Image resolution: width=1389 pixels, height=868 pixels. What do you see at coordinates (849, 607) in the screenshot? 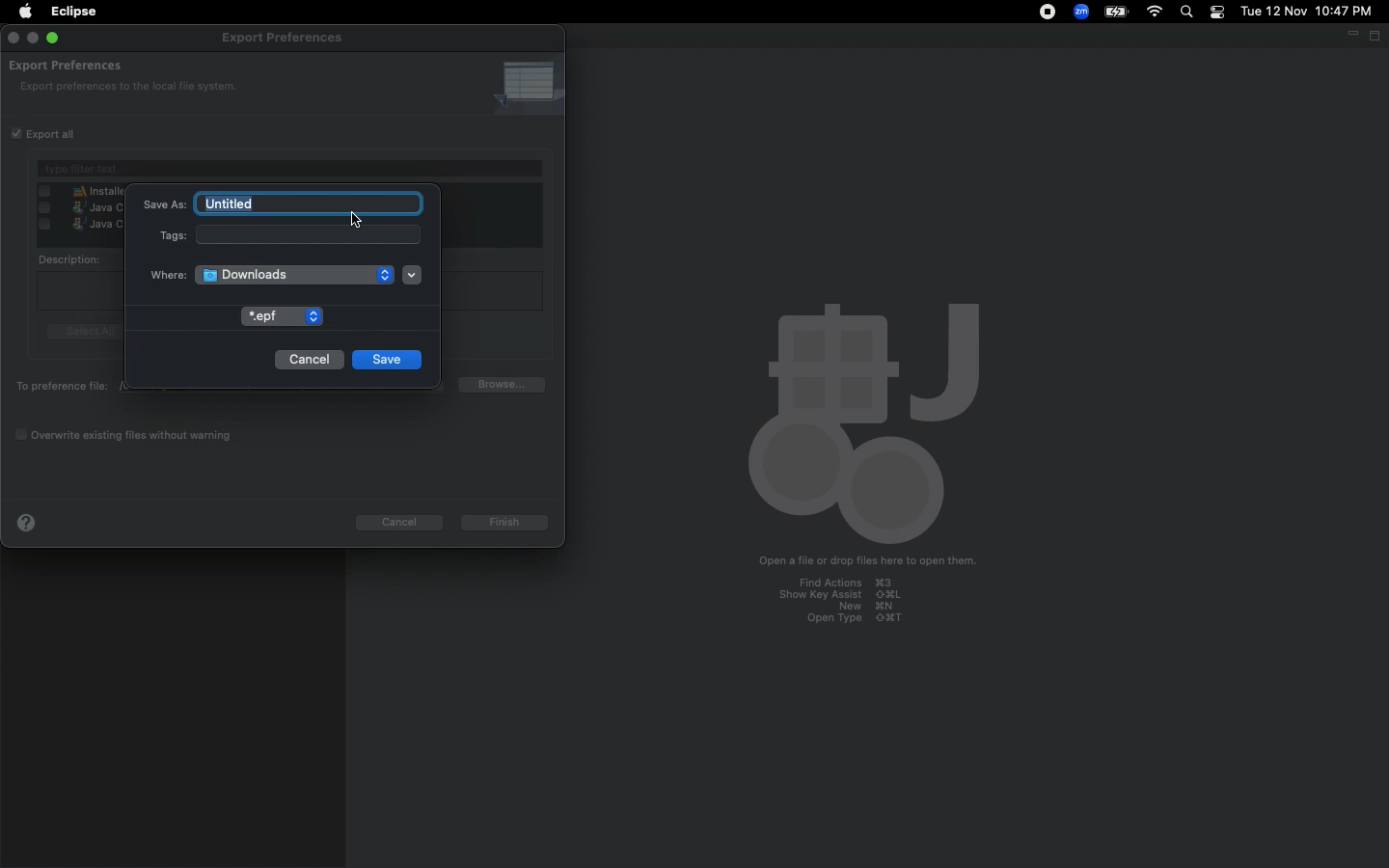
I see `new ` at bounding box center [849, 607].